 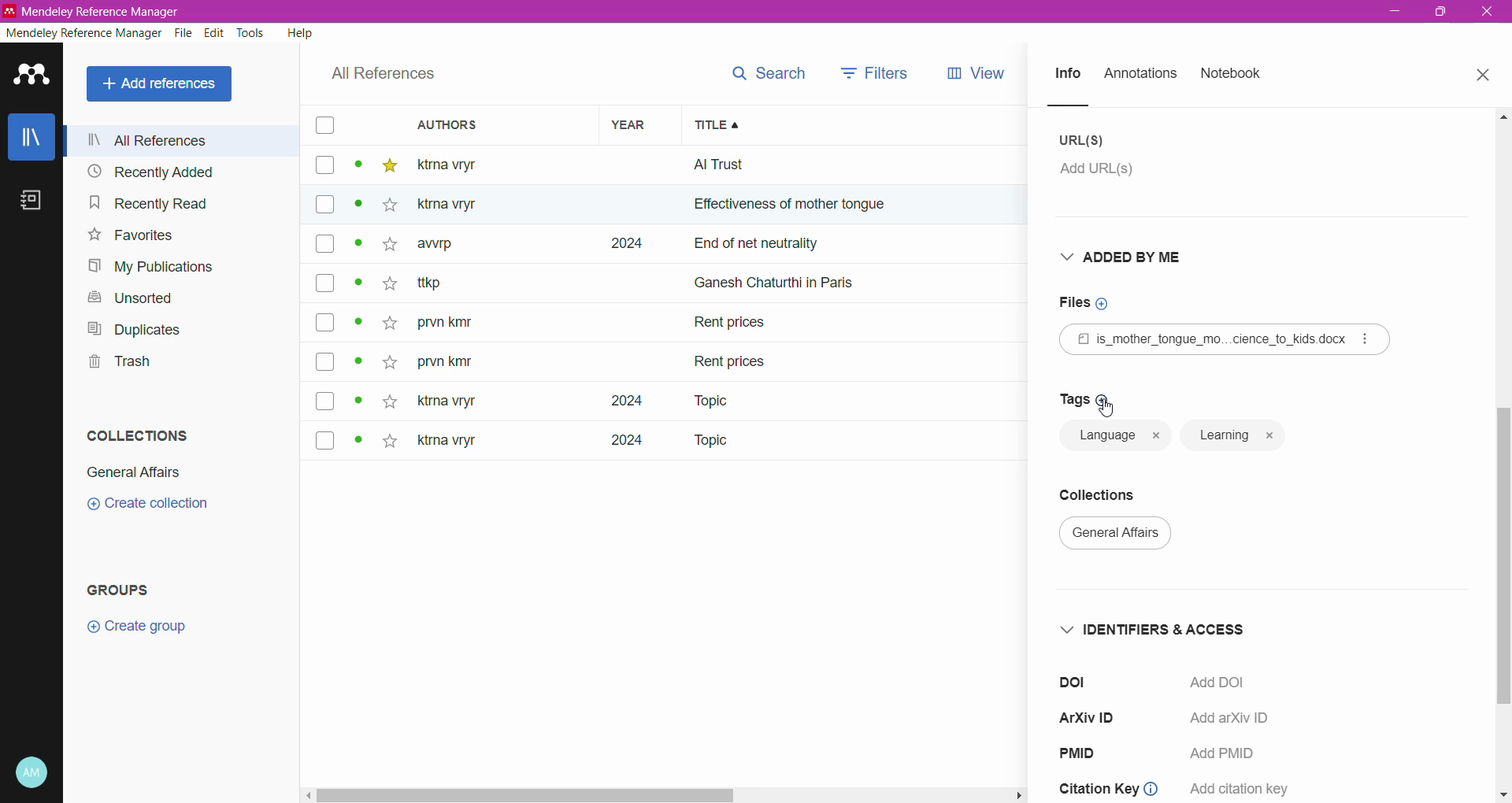 I want to click on all trust, so click(x=803, y=165).